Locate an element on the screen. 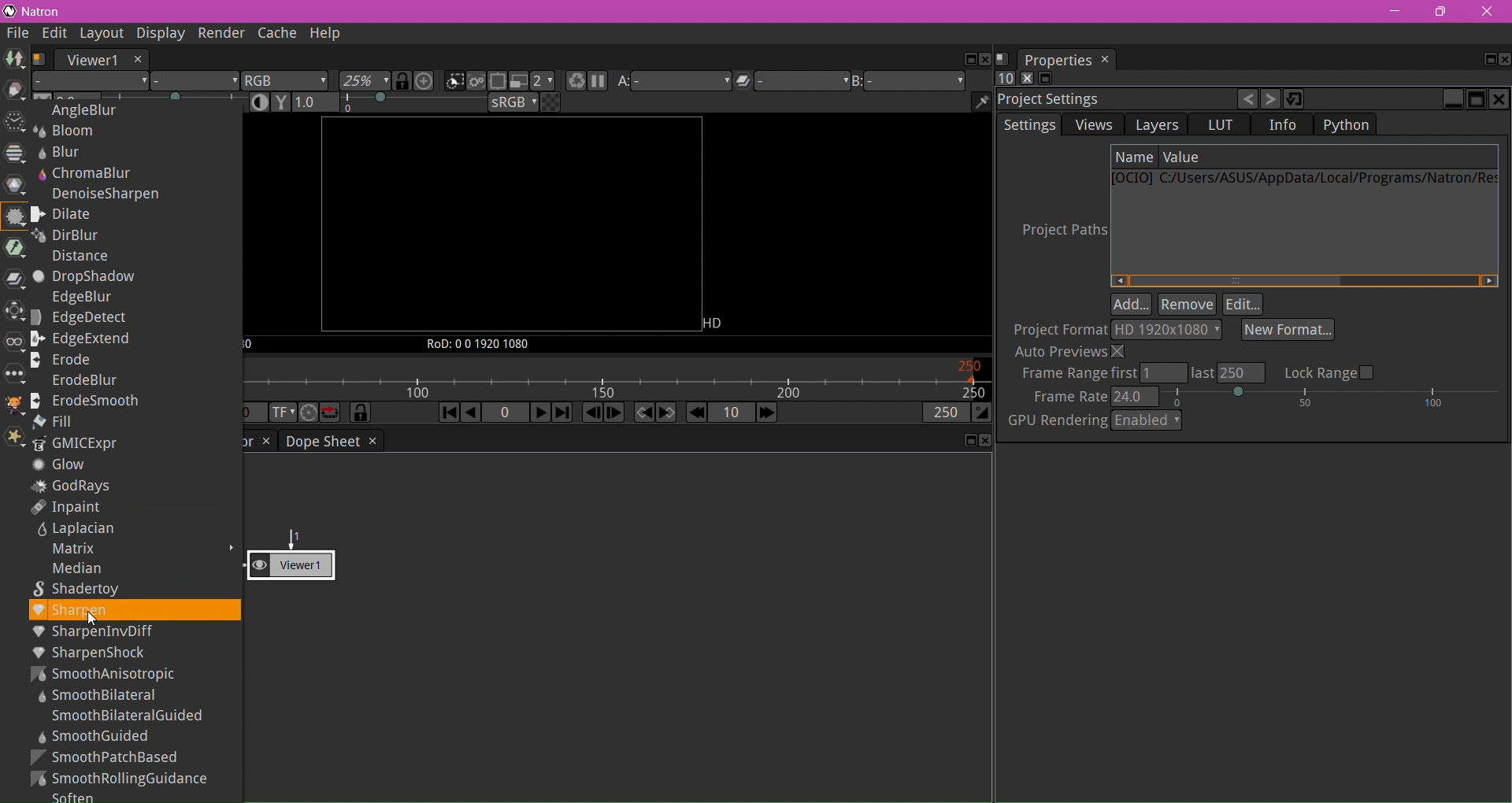 The height and width of the screenshot is (803, 1512). Set the display format is located at coordinates (281, 413).